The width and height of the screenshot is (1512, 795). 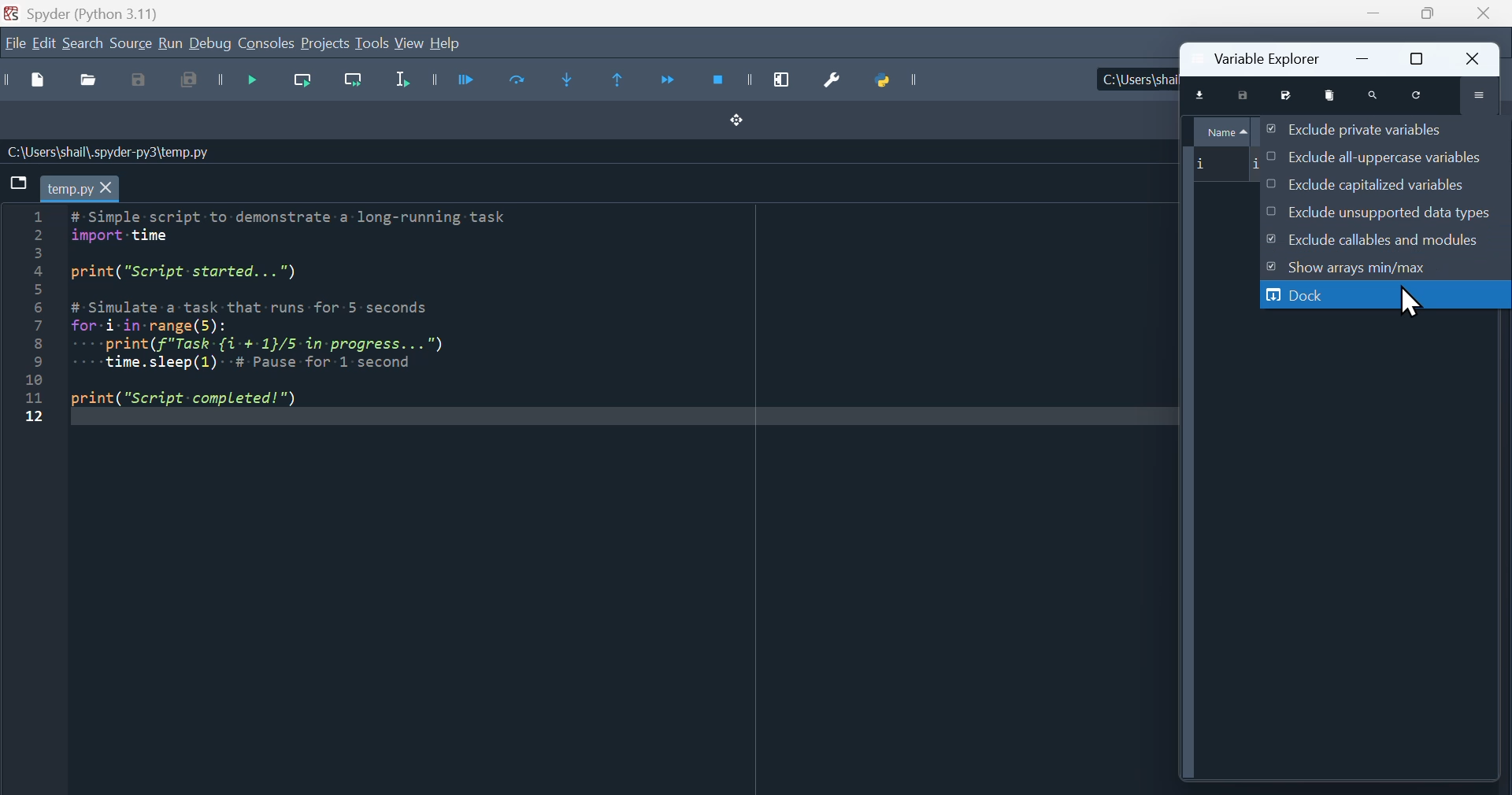 I want to click on save data, so click(x=1243, y=95).